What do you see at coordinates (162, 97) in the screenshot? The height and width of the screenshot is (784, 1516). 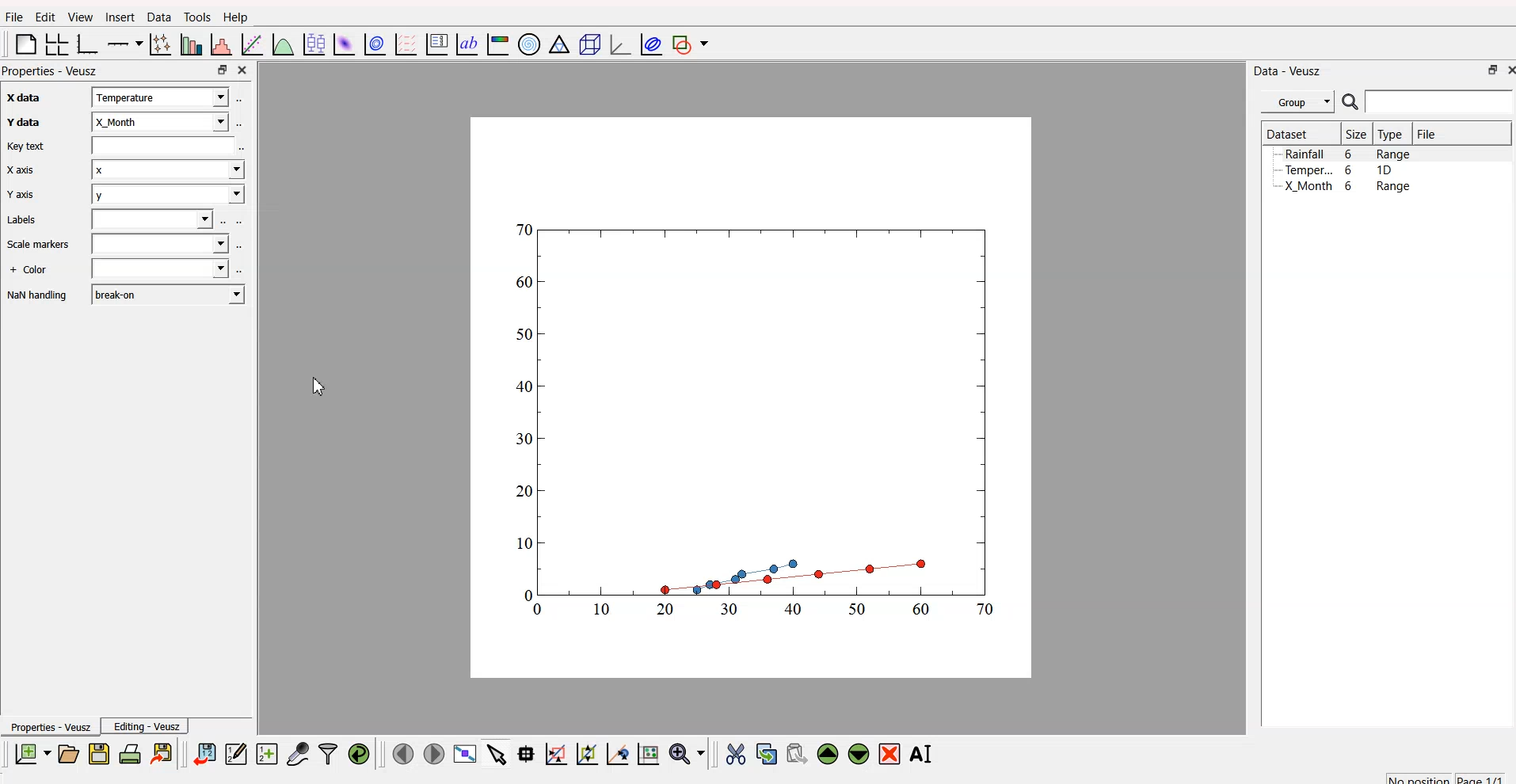 I see `x` at bounding box center [162, 97].